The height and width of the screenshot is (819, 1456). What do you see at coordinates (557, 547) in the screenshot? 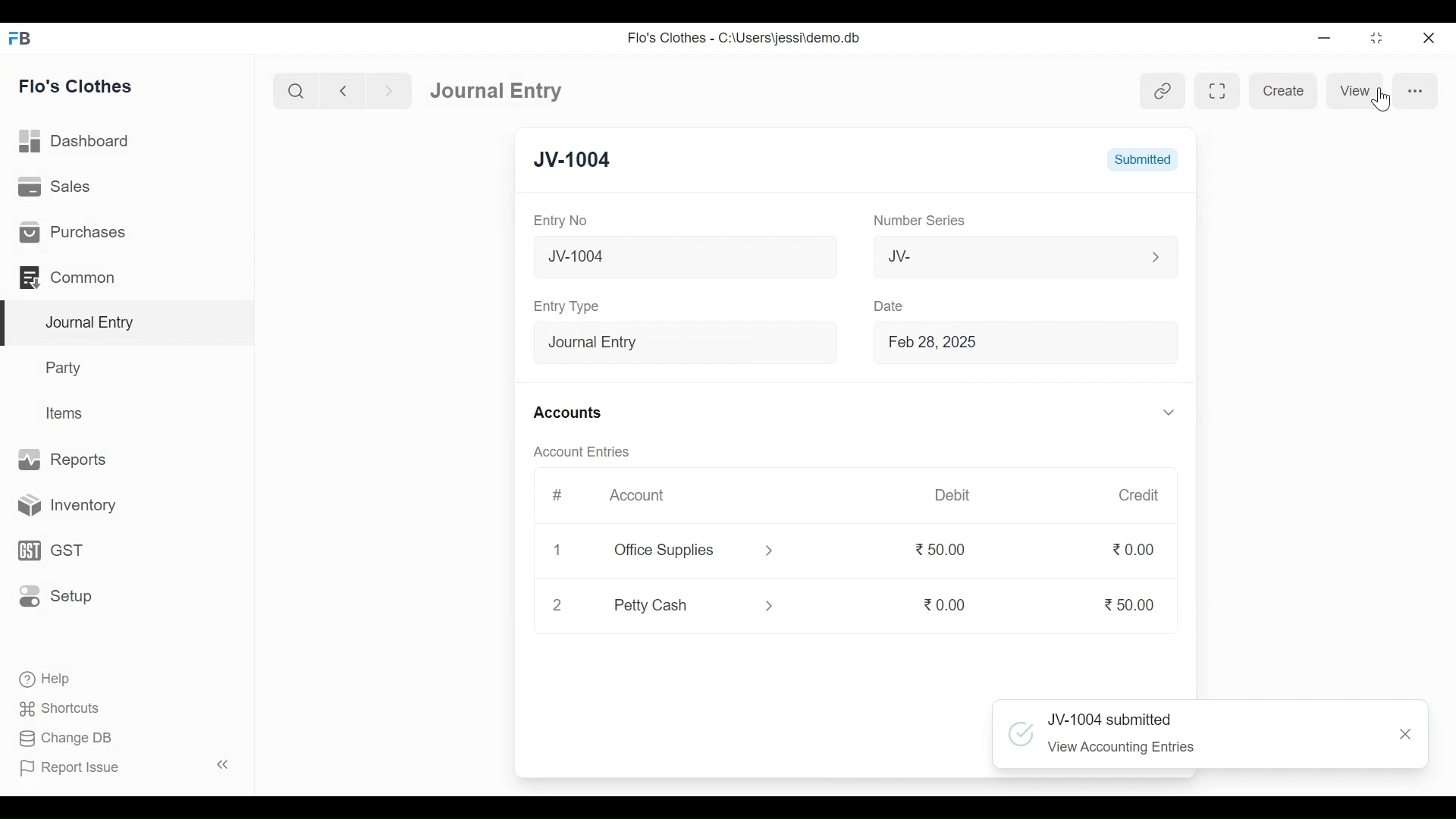
I see `1` at bounding box center [557, 547].